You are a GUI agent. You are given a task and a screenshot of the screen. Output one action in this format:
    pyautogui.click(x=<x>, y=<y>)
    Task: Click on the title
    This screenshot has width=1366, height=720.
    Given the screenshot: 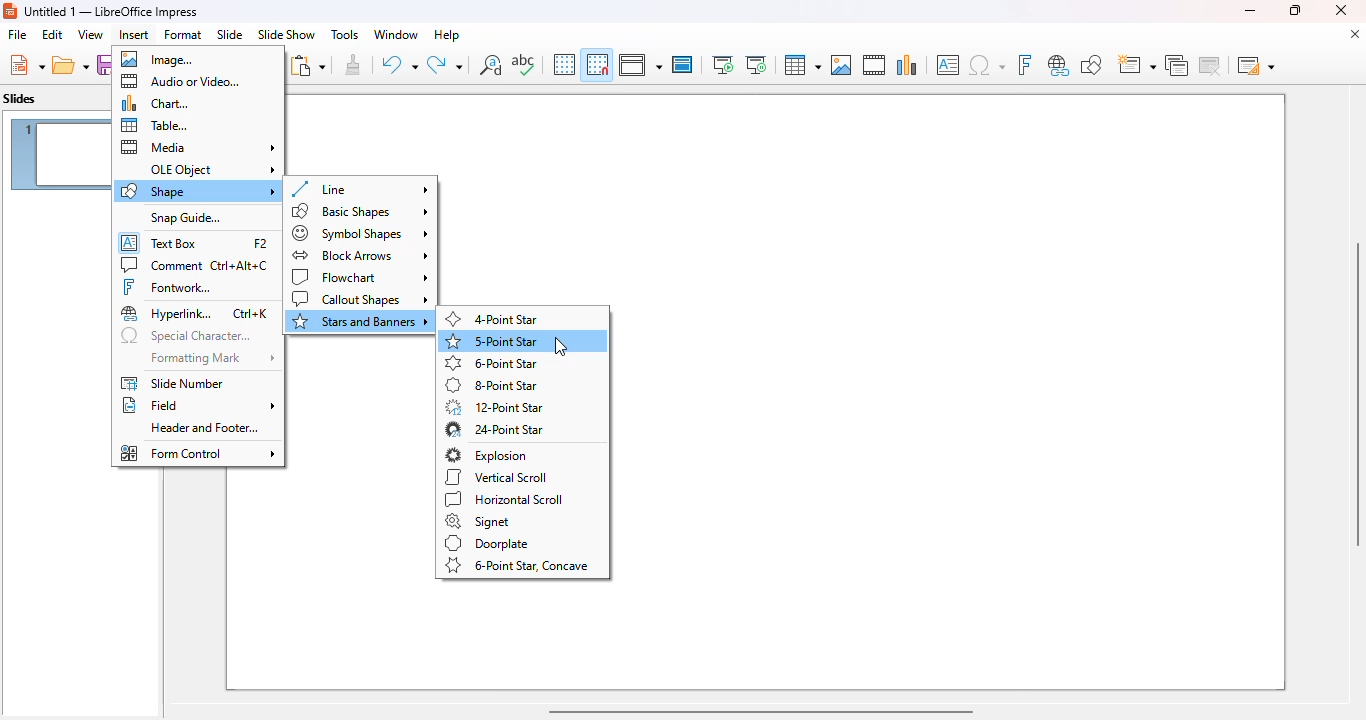 What is the action you would take?
    pyautogui.click(x=112, y=11)
    